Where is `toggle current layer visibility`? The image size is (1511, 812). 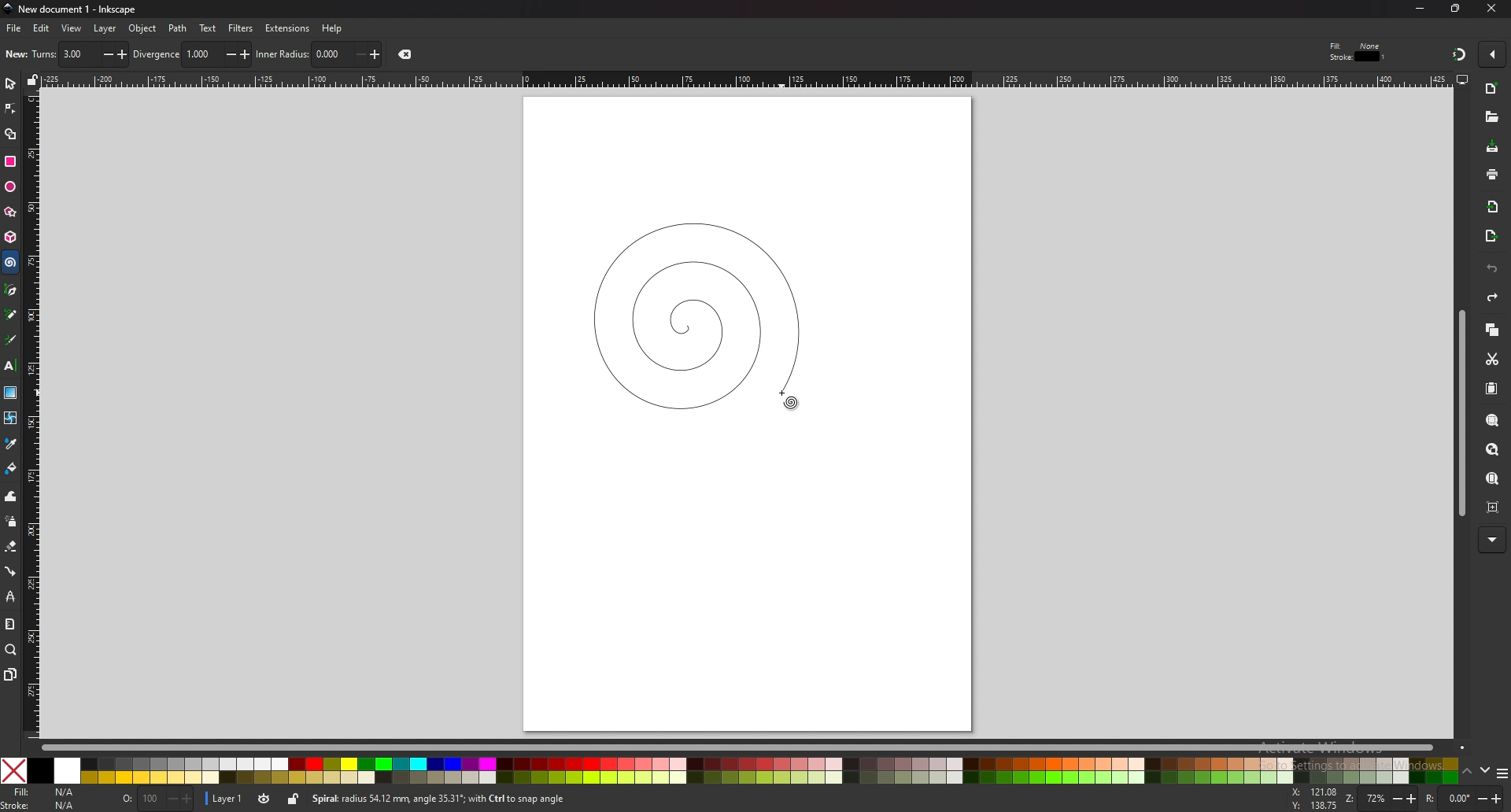 toggle current layer visibility is located at coordinates (265, 799).